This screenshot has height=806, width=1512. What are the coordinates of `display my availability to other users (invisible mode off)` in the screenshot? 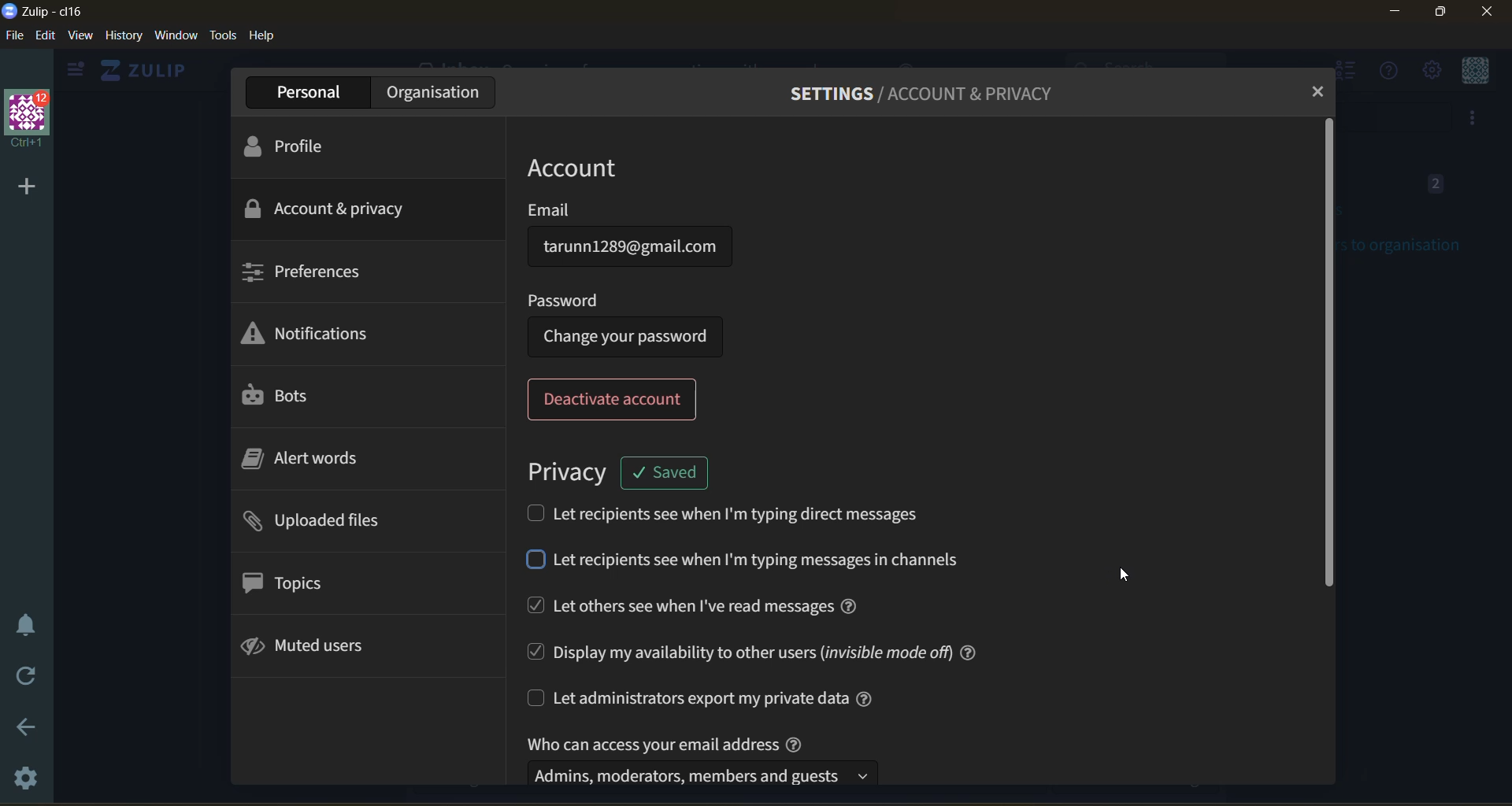 It's located at (751, 650).